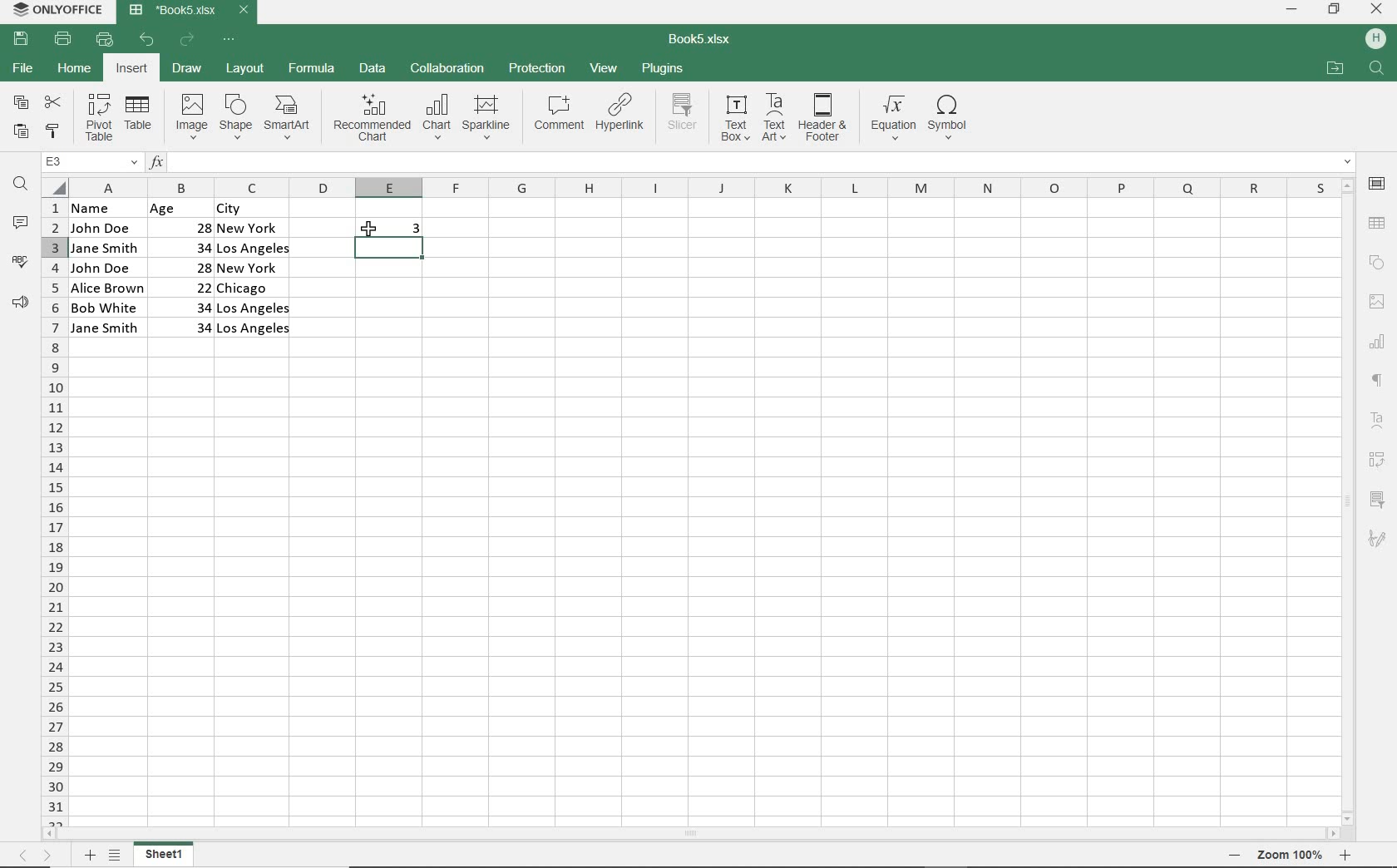 The height and width of the screenshot is (868, 1397). What do you see at coordinates (253, 250) in the screenshot?
I see `Los Angeles` at bounding box center [253, 250].